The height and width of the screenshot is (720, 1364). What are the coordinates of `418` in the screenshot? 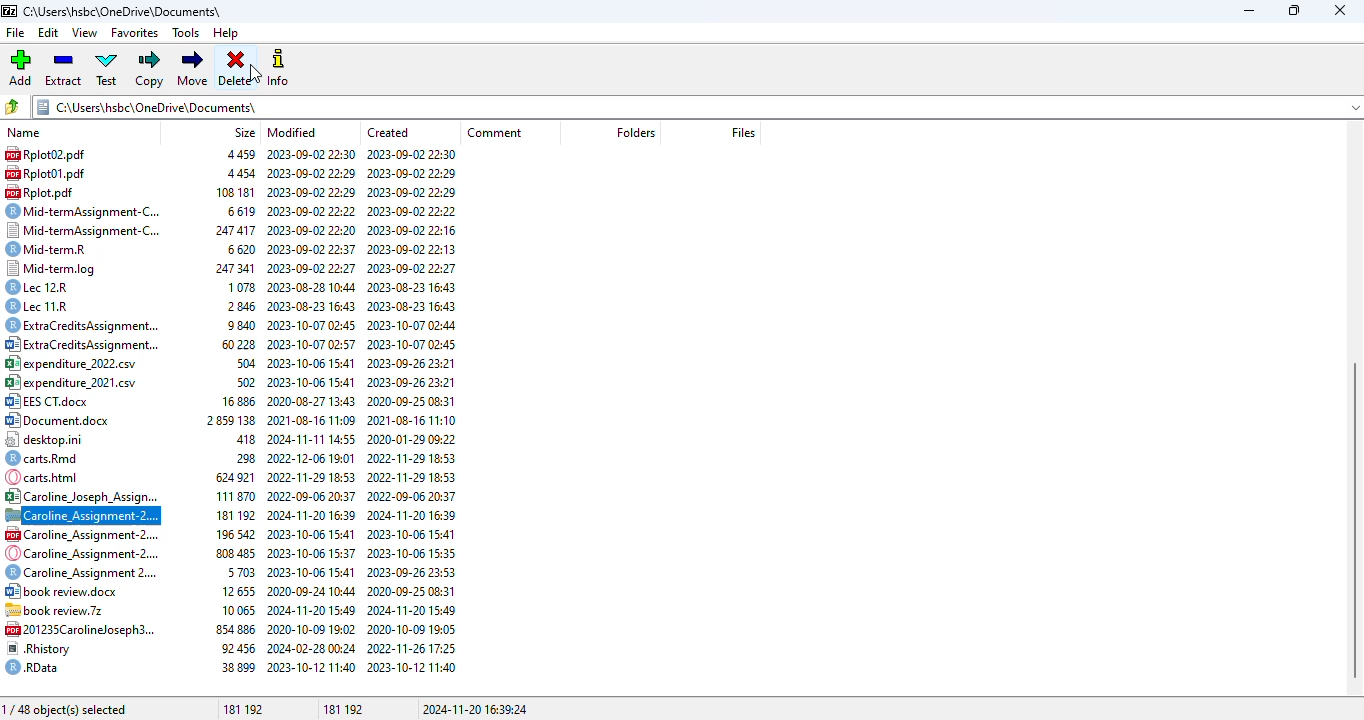 It's located at (241, 438).